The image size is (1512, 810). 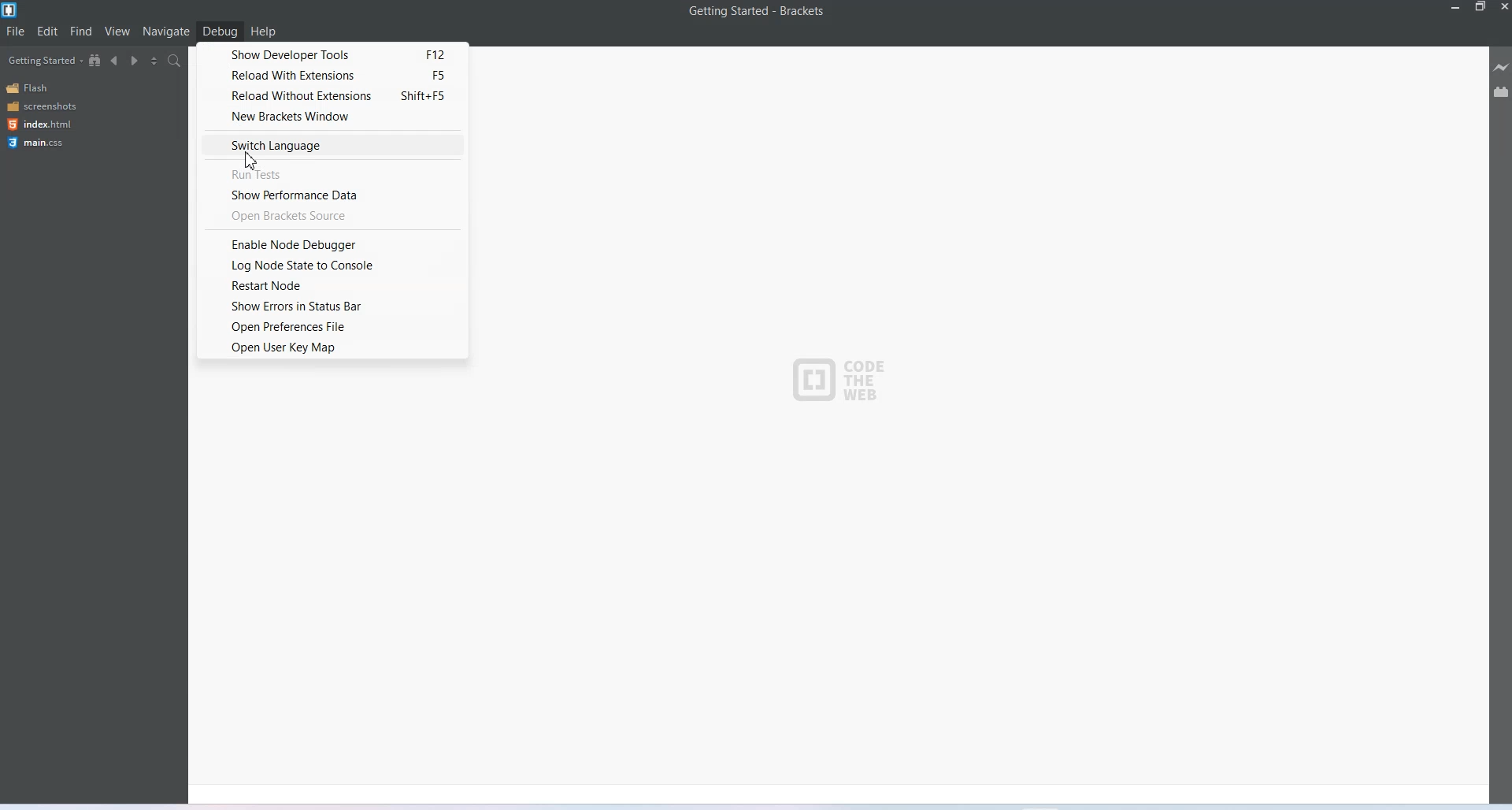 I want to click on Find, so click(x=82, y=32).